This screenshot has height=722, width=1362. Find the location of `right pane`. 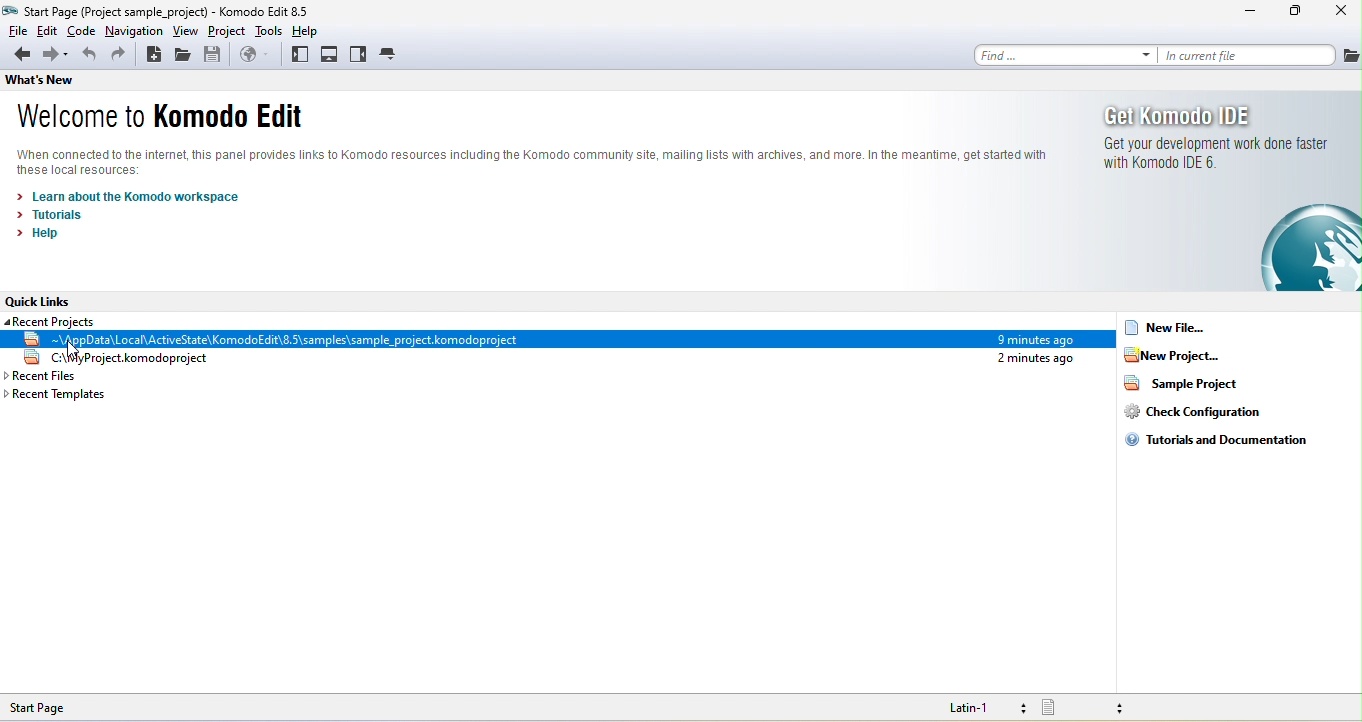

right pane is located at coordinates (361, 54).